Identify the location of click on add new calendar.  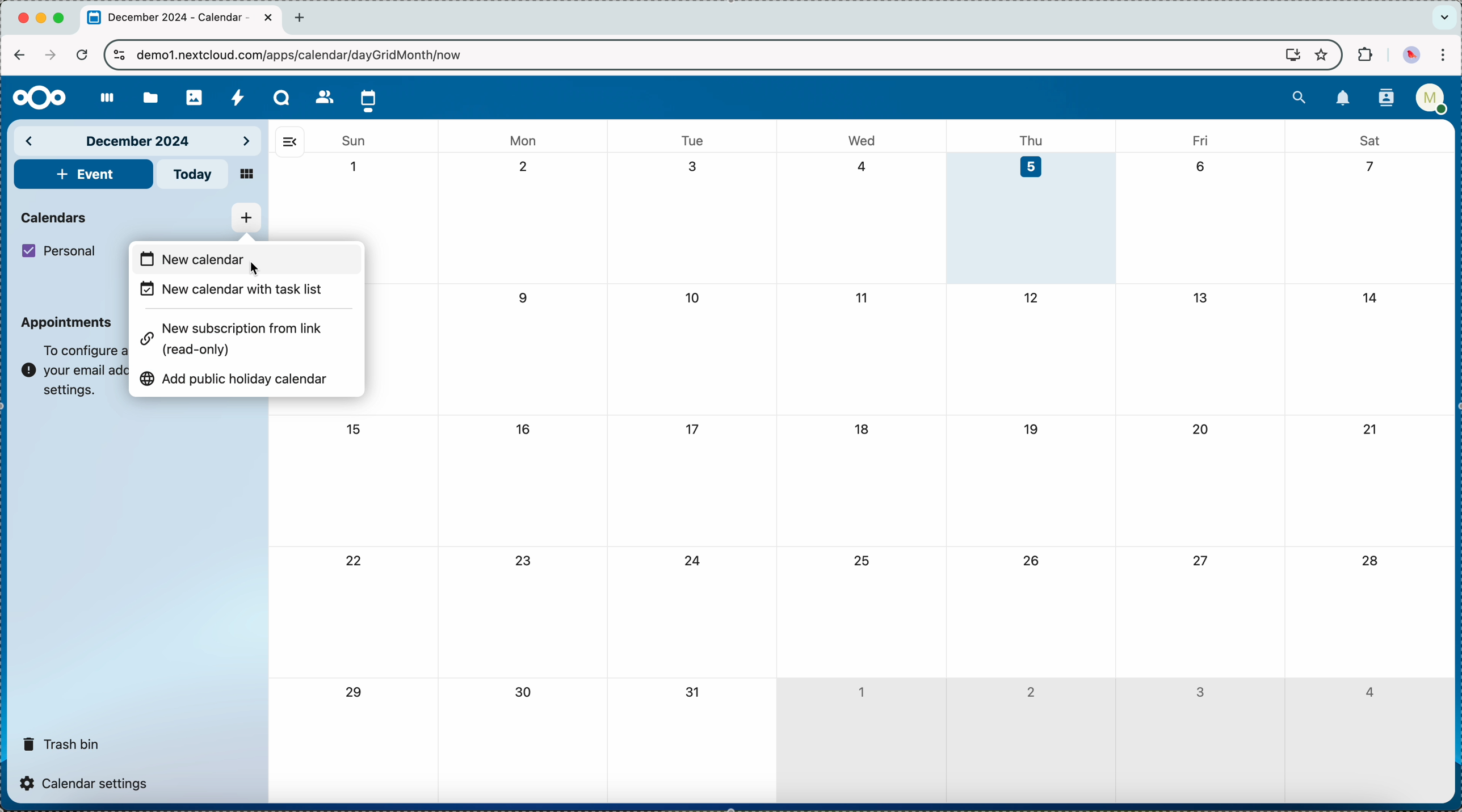
(246, 218).